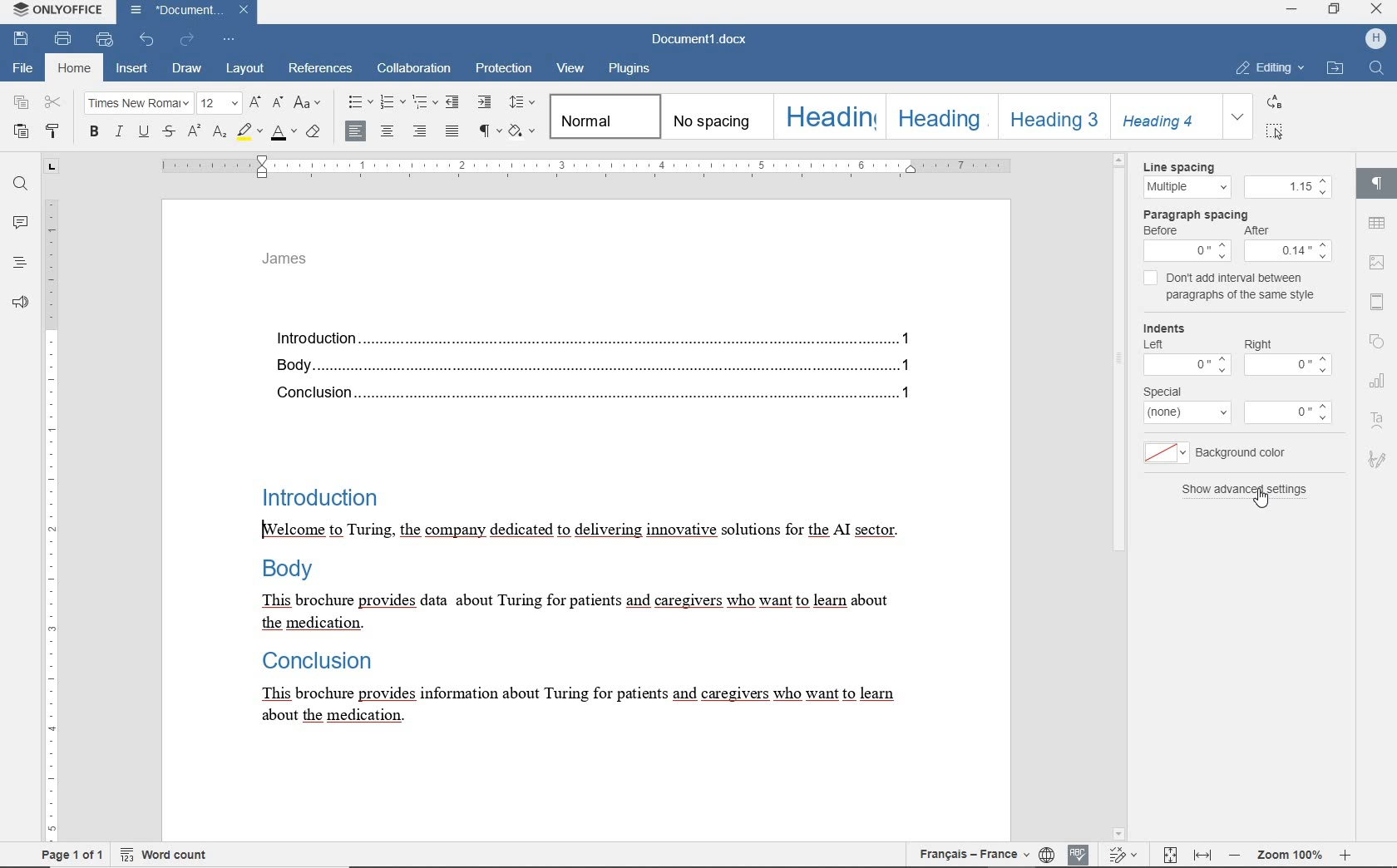  Describe the element at coordinates (25, 70) in the screenshot. I see `file` at that location.